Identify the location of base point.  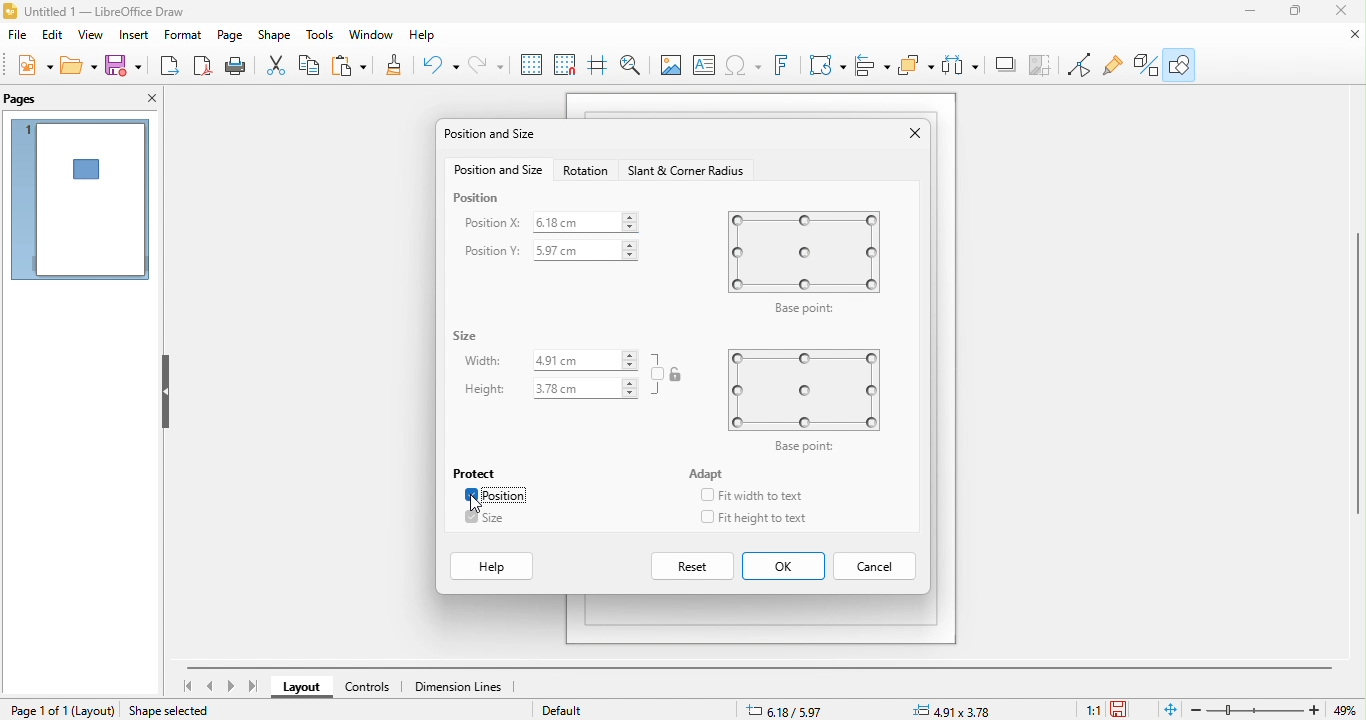
(810, 401).